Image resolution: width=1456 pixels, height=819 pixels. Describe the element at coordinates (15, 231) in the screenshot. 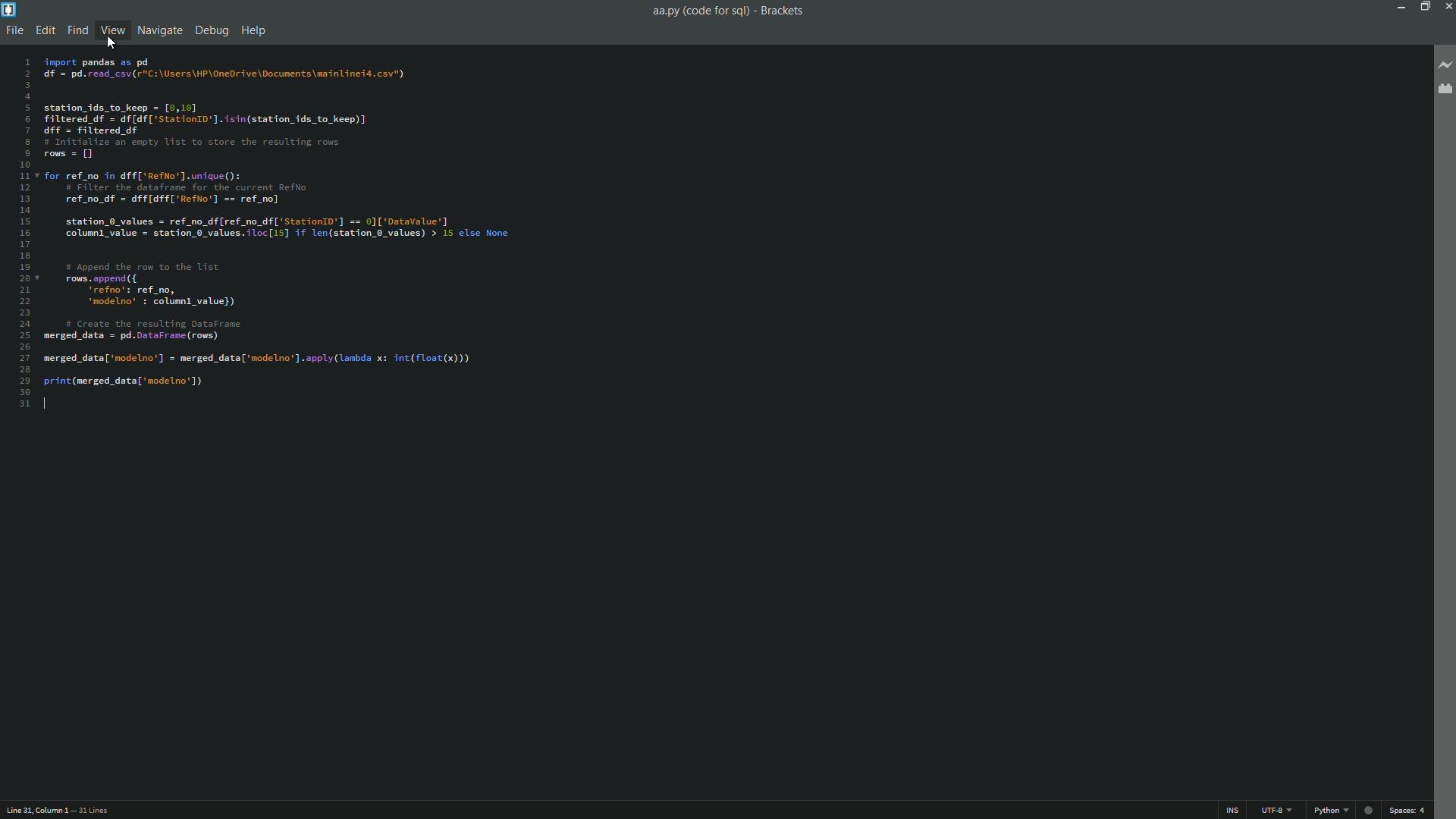

I see `Line numbers` at that location.